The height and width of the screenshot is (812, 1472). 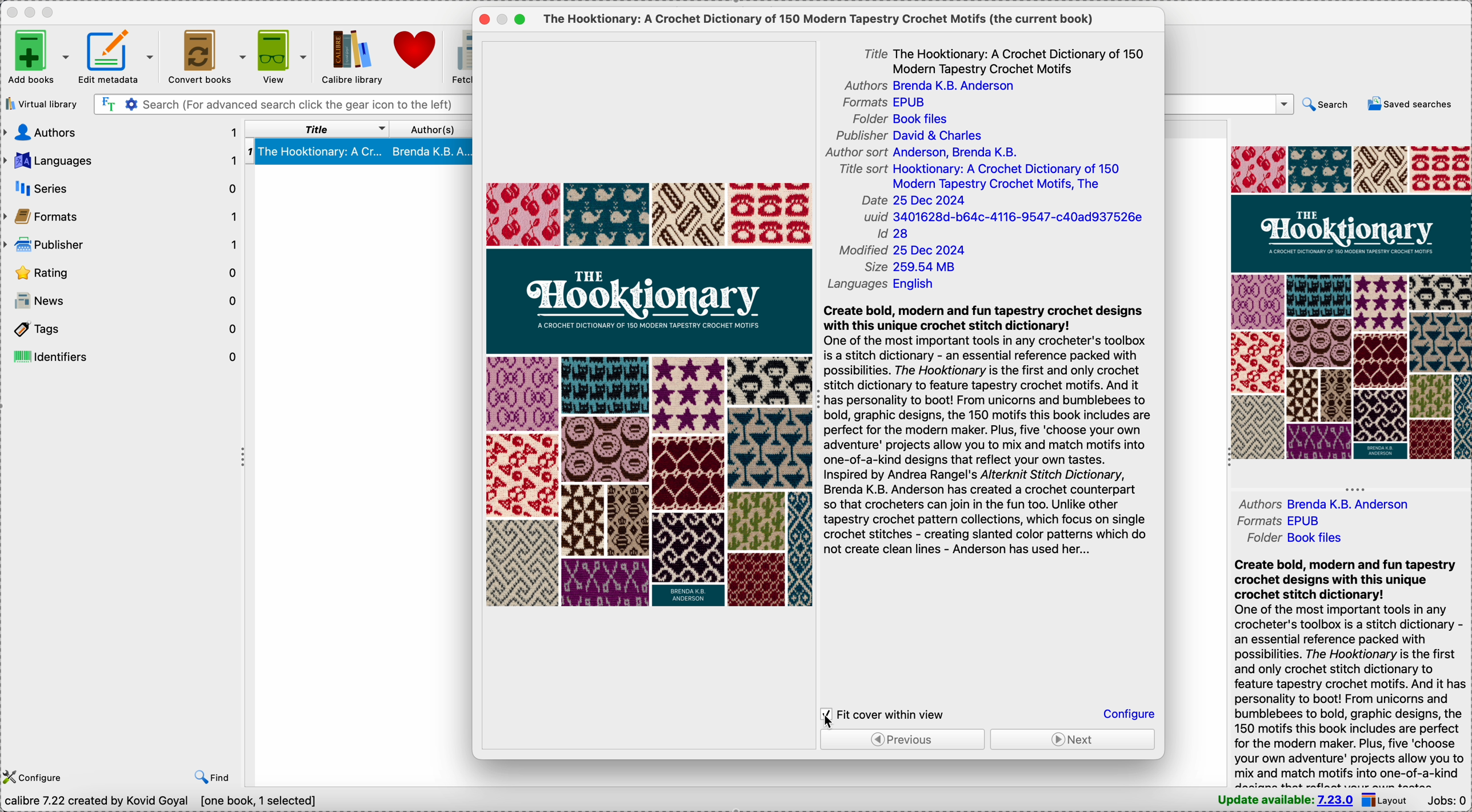 What do you see at coordinates (118, 55) in the screenshot?
I see `edit metadata` at bounding box center [118, 55].